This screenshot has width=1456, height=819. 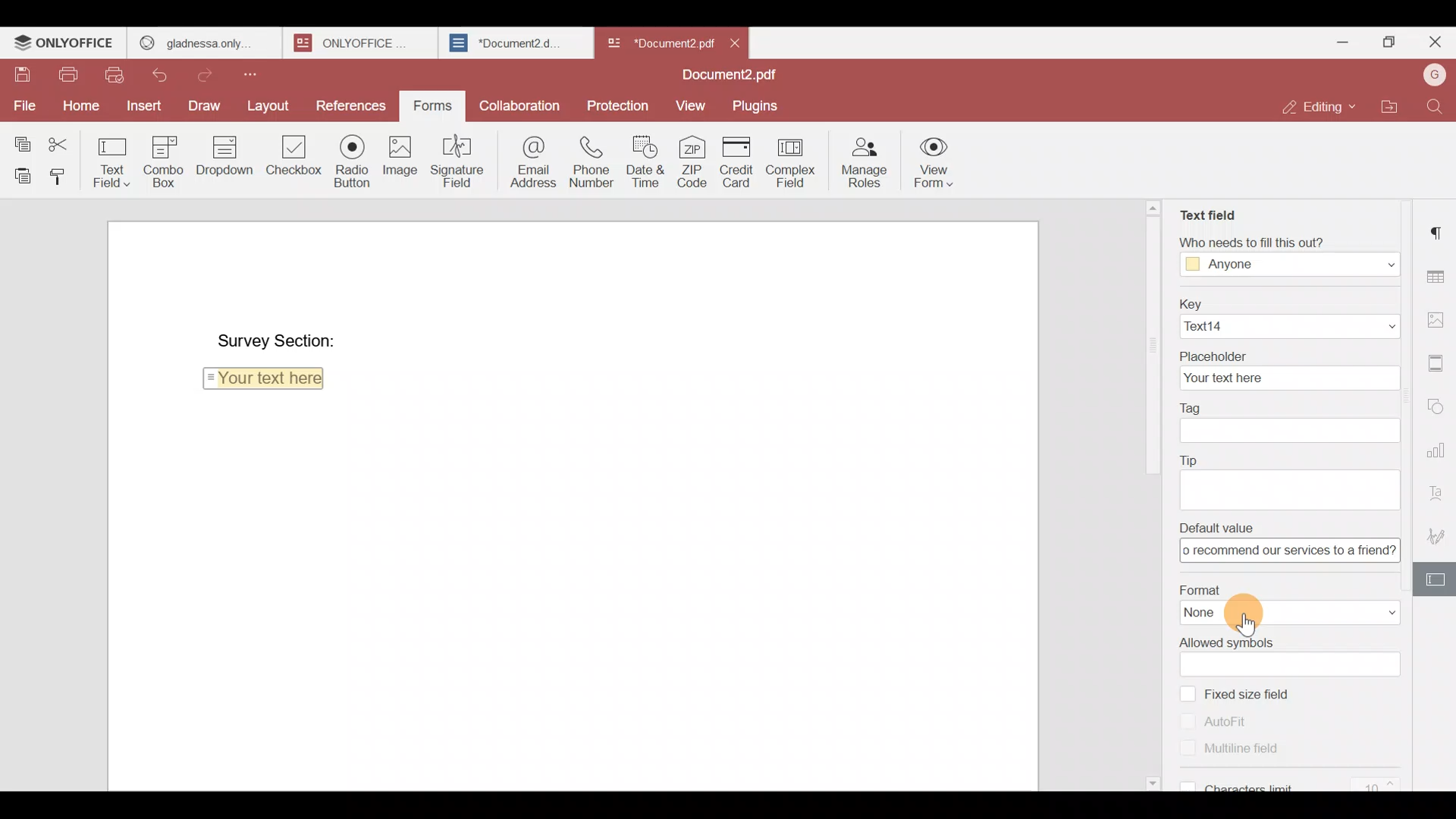 What do you see at coordinates (199, 39) in the screenshot?
I see `GLADNESS ONLY` at bounding box center [199, 39].